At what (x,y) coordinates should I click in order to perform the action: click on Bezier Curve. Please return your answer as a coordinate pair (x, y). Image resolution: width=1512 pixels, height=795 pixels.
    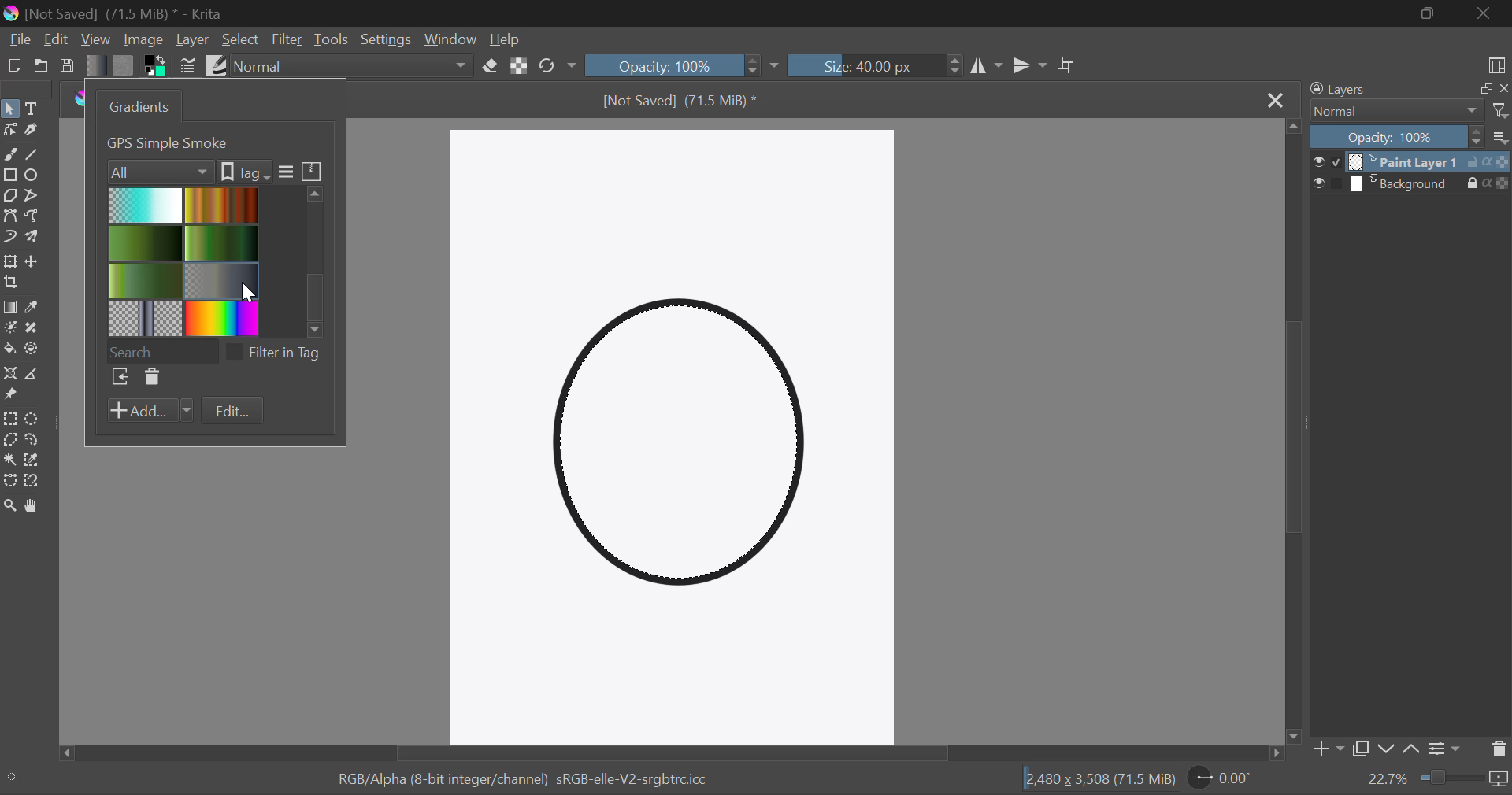
    Looking at the image, I should click on (10, 216).